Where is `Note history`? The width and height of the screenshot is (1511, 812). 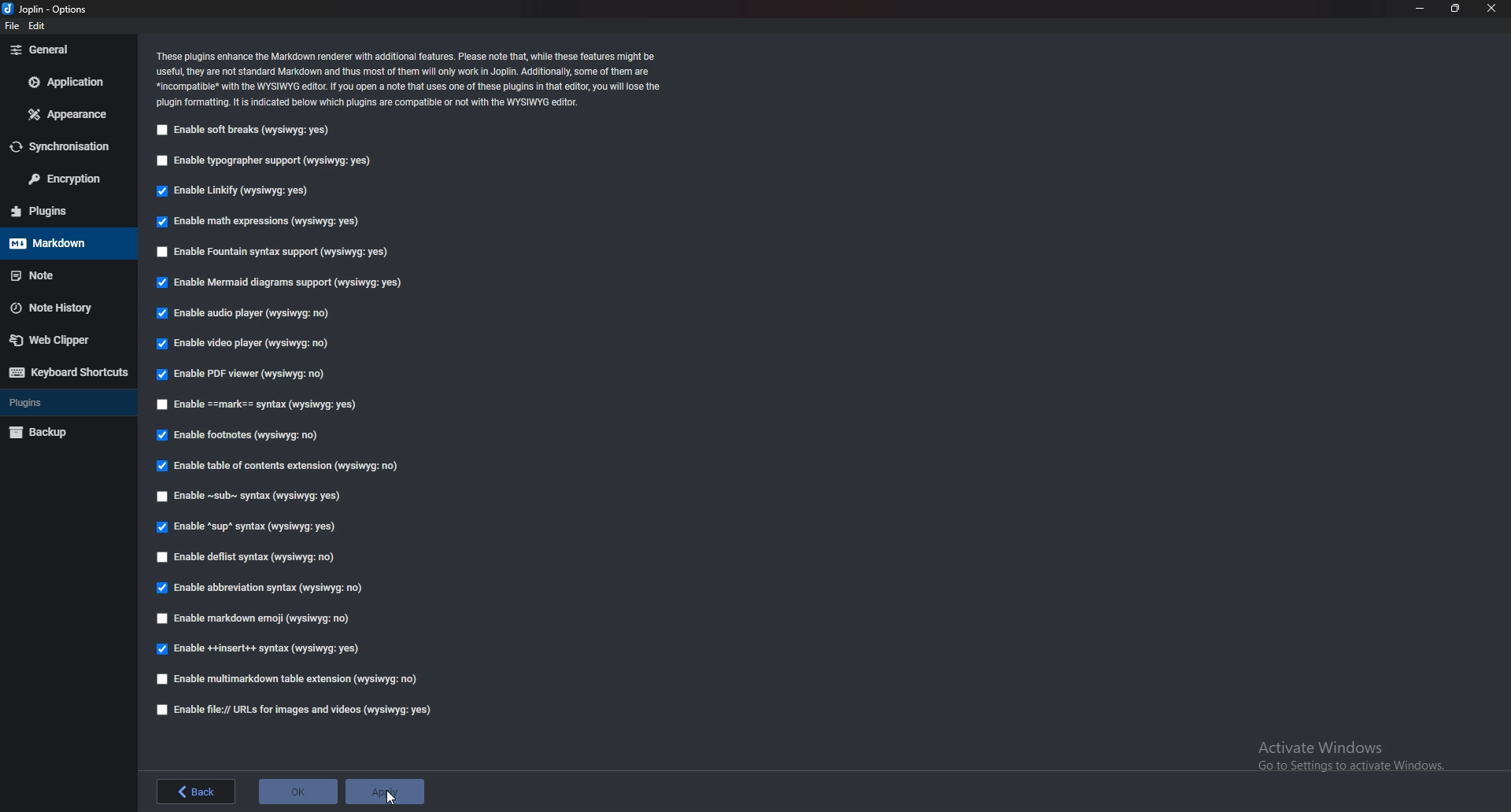
Note history is located at coordinates (63, 309).